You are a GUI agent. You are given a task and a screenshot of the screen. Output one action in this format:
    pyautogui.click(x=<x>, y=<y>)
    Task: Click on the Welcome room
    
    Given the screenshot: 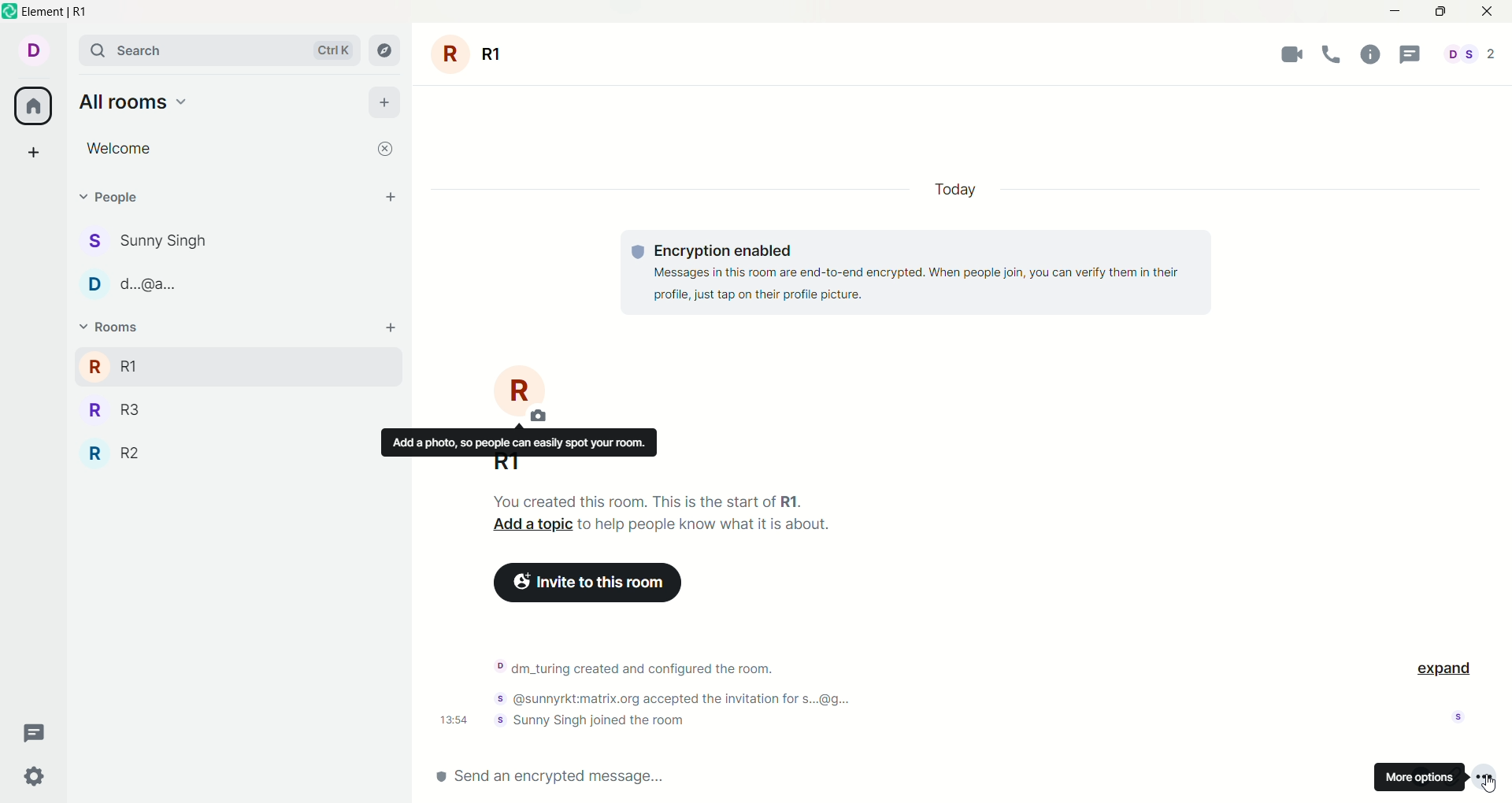 What is the action you would take?
    pyautogui.click(x=224, y=149)
    